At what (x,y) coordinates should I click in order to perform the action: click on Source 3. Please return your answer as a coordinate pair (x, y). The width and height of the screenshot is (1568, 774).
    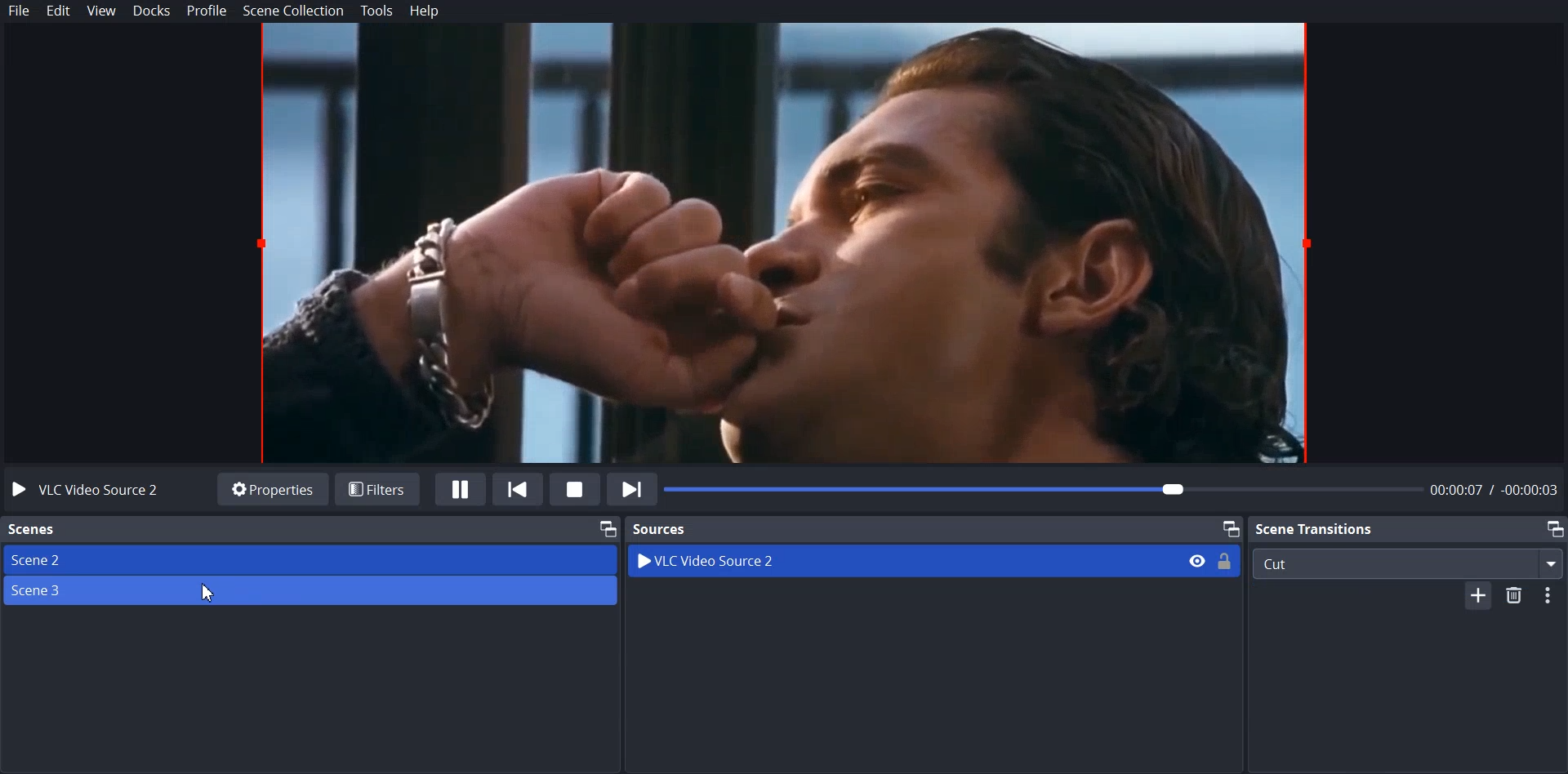
    Looking at the image, I should click on (310, 594).